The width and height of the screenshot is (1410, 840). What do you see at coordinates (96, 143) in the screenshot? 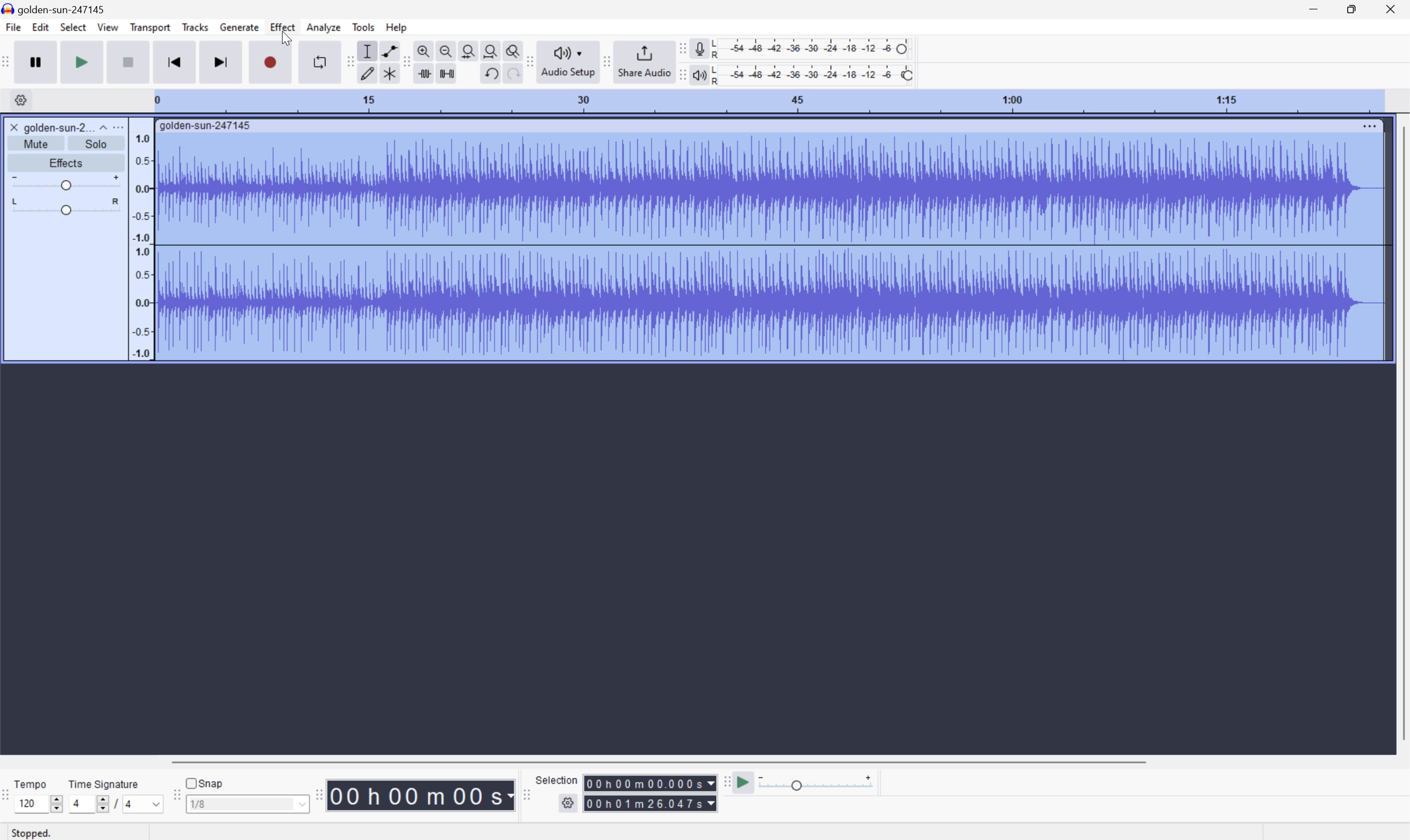
I see `Solo` at bounding box center [96, 143].